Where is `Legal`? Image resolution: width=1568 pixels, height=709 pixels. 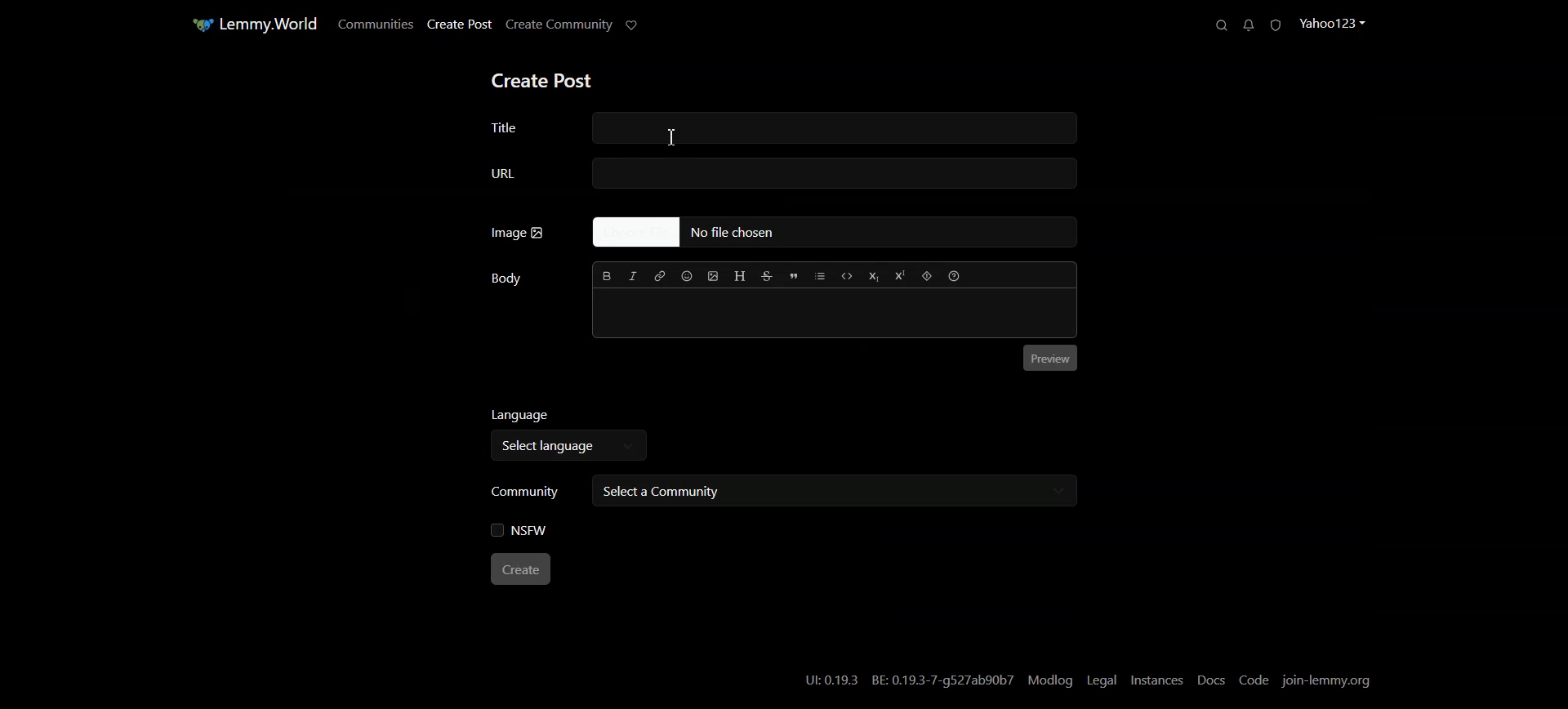
Legal is located at coordinates (1101, 680).